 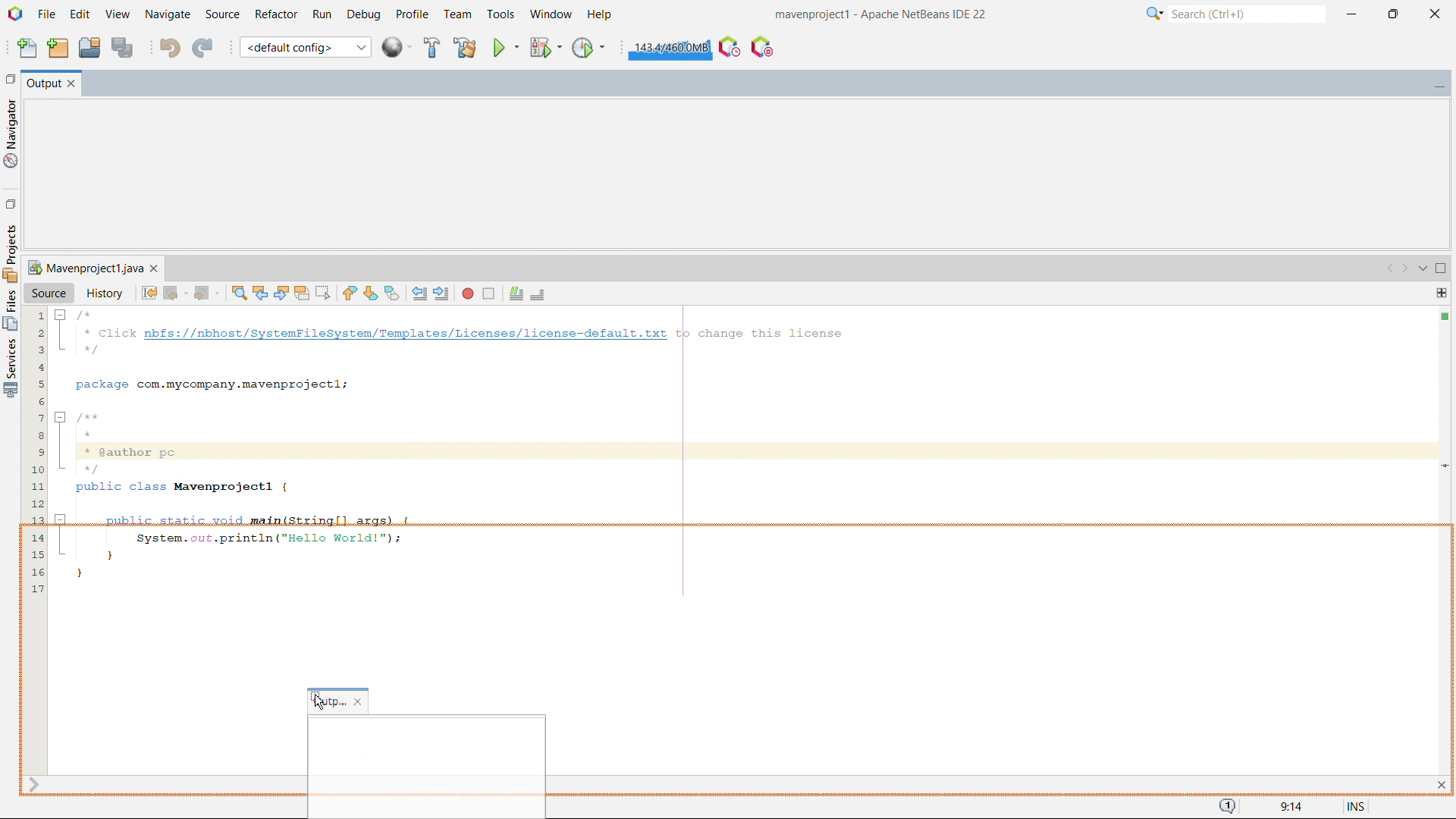 What do you see at coordinates (1348, 804) in the screenshot?
I see `INS` at bounding box center [1348, 804].